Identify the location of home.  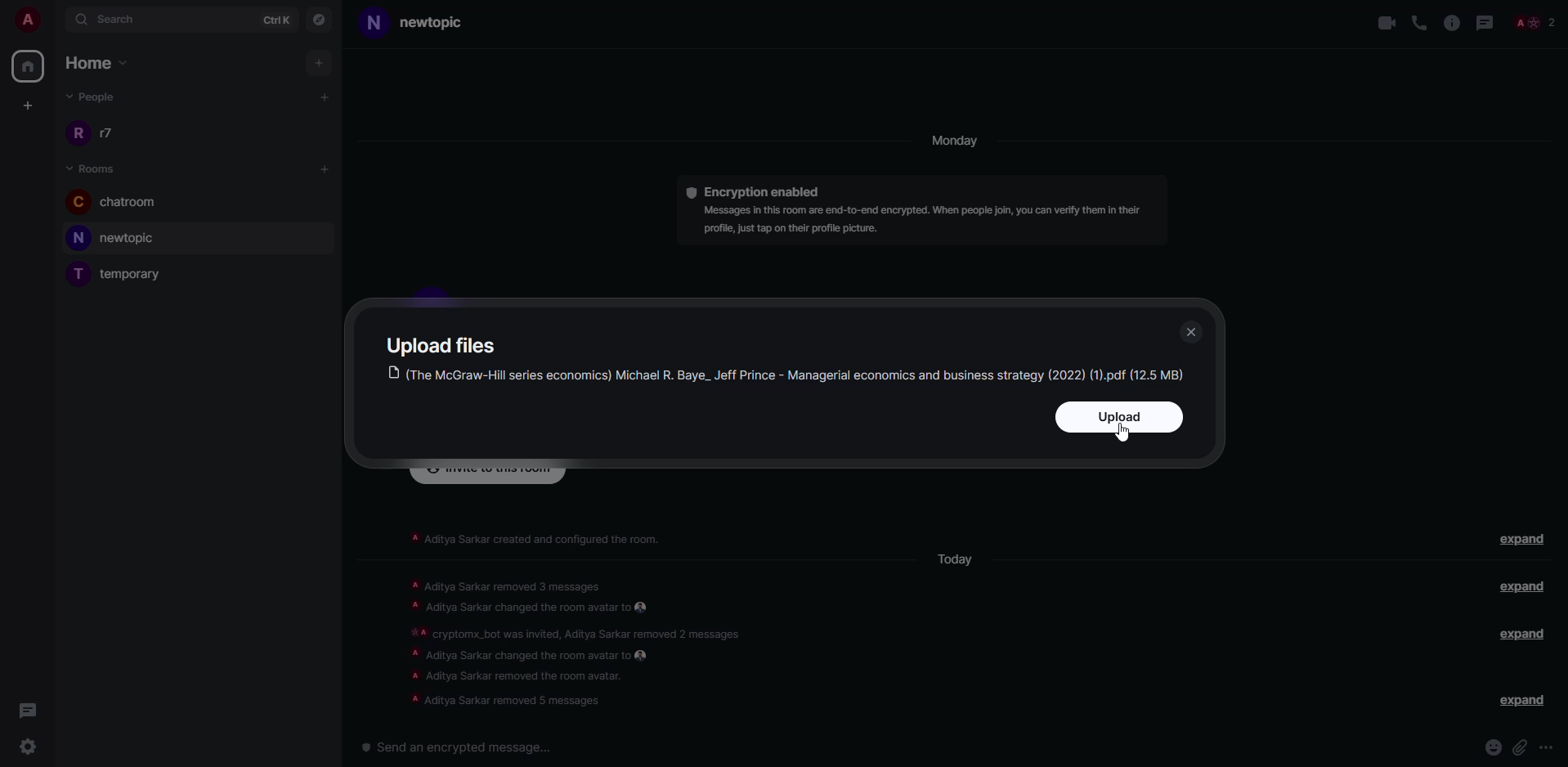
(29, 66).